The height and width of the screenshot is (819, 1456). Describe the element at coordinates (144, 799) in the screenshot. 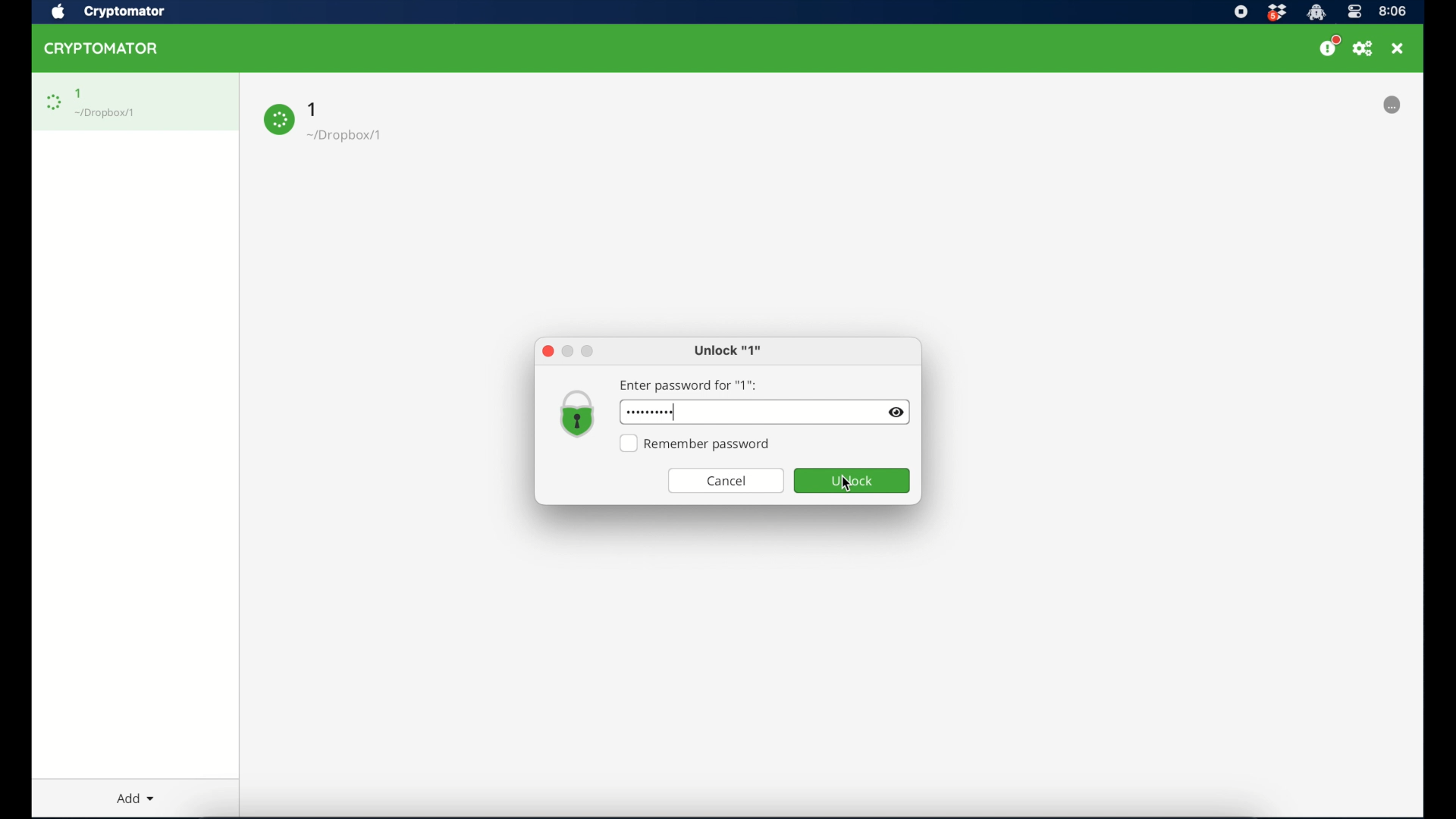

I see `Add dropdown` at that location.